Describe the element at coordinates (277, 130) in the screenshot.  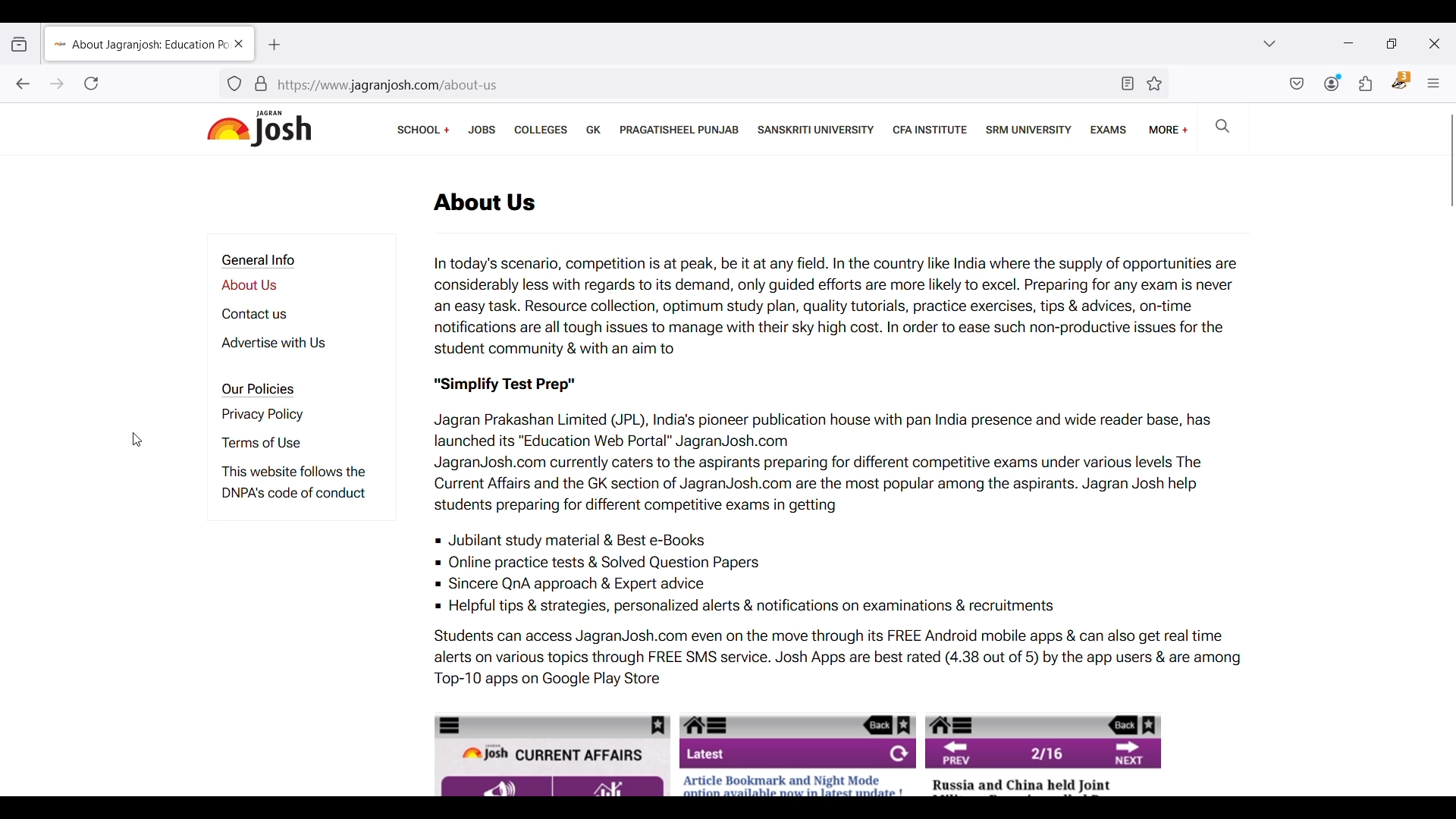
I see `Jagran josh logo` at that location.